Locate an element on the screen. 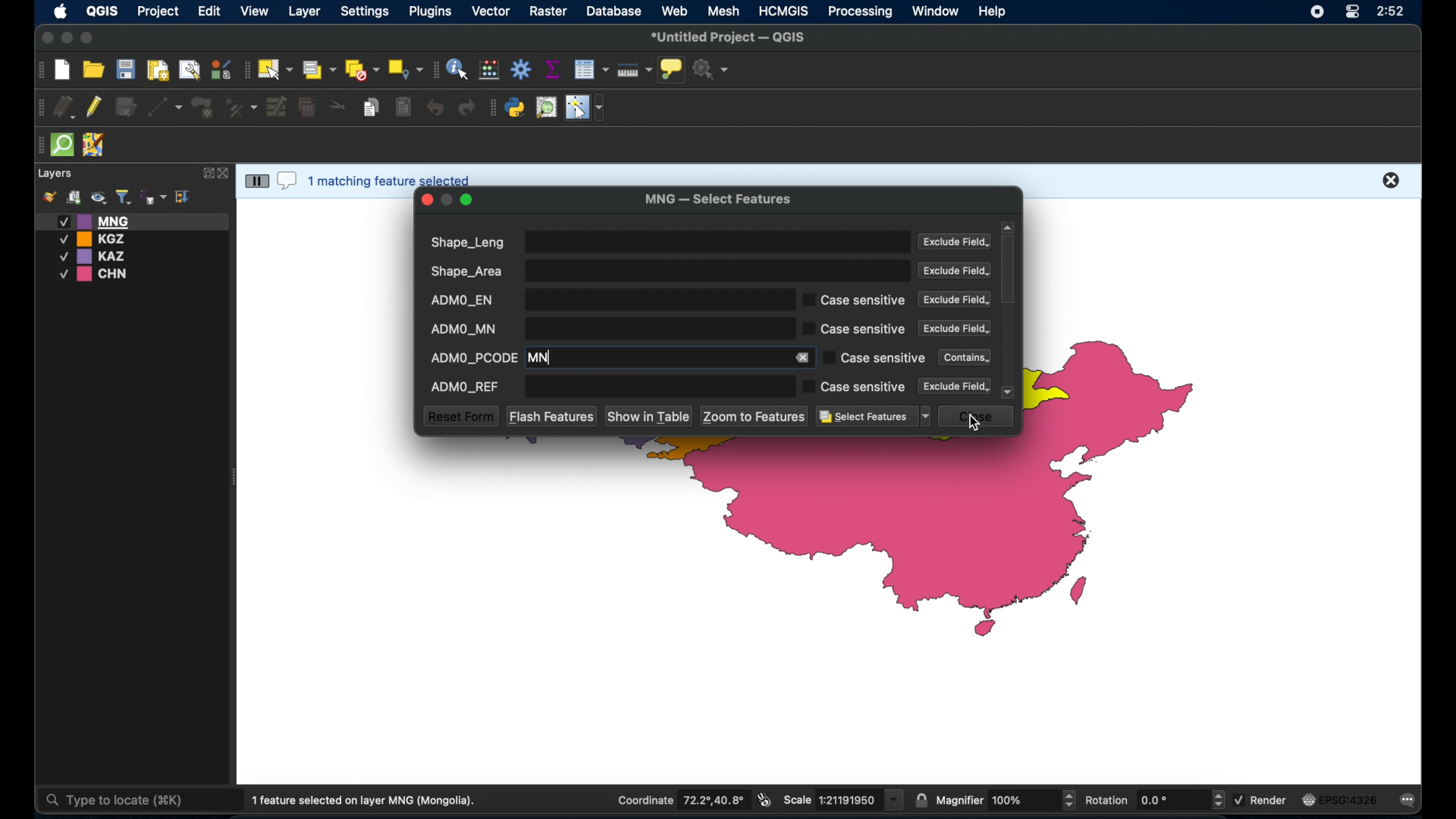 The height and width of the screenshot is (819, 1456). case sensitive is located at coordinates (855, 387).